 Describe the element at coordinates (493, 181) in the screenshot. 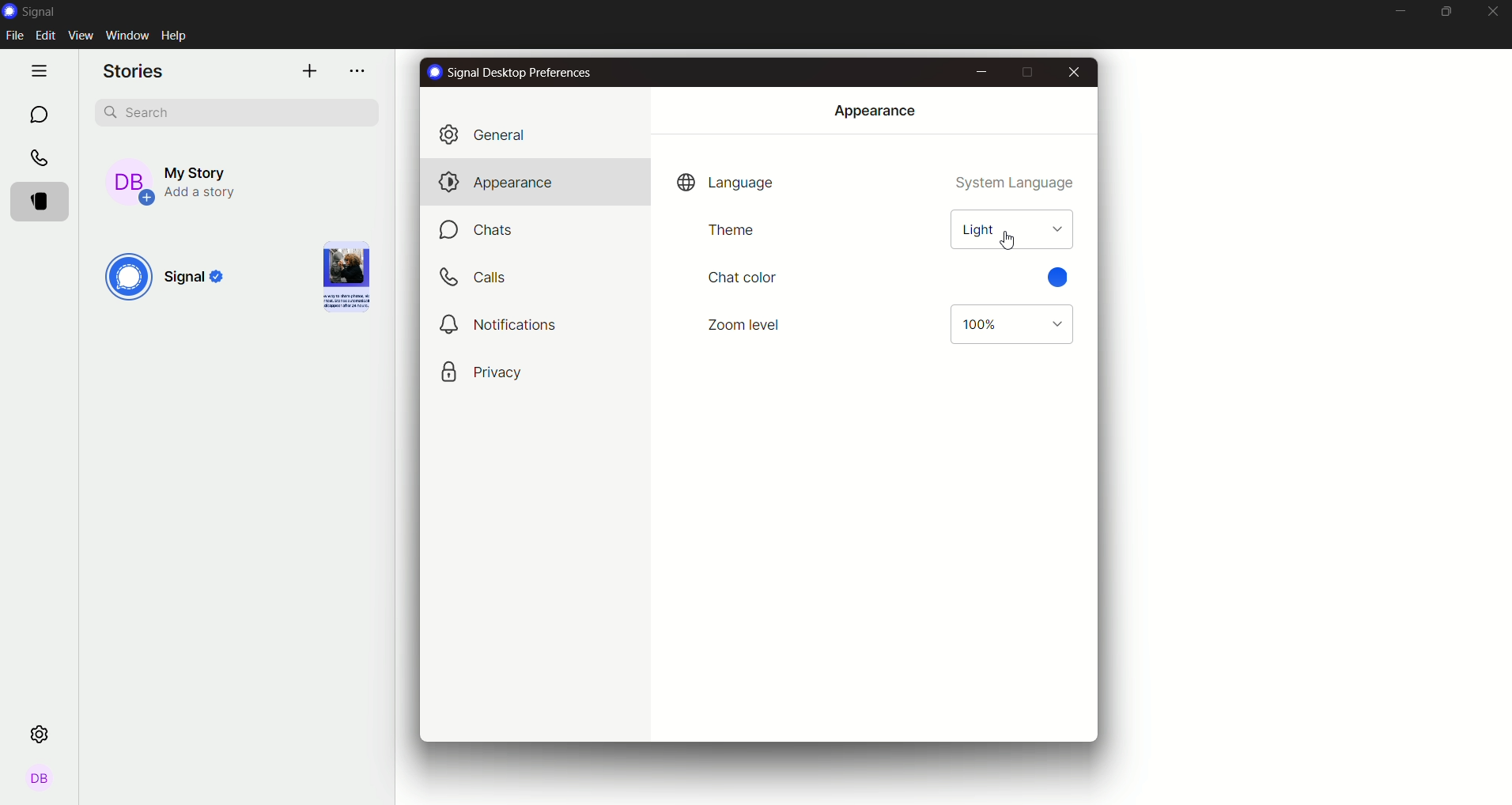

I see `appearance` at that location.